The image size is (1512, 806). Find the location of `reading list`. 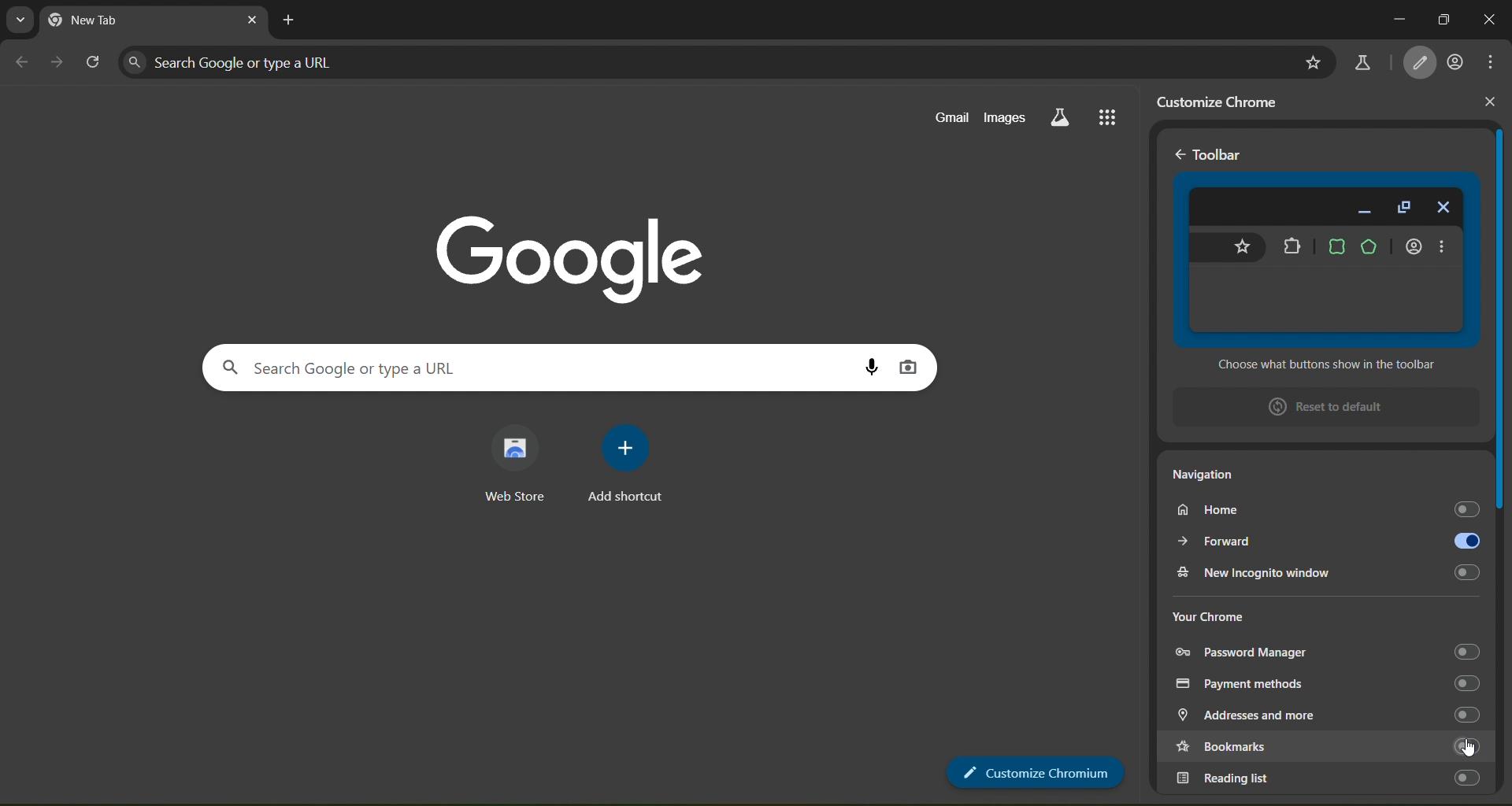

reading list is located at coordinates (1329, 776).